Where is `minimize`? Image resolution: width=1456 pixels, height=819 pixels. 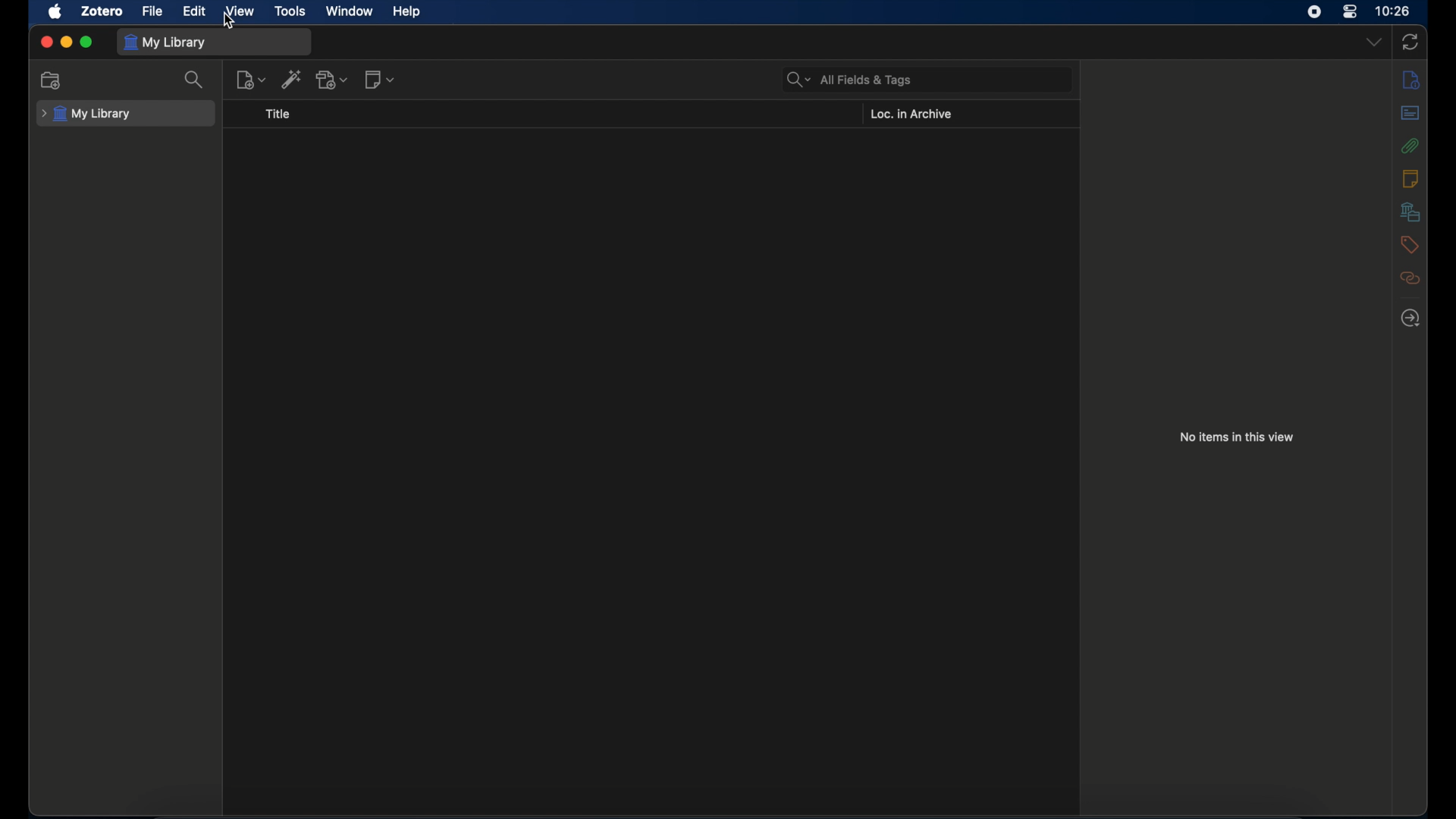 minimize is located at coordinates (65, 42).